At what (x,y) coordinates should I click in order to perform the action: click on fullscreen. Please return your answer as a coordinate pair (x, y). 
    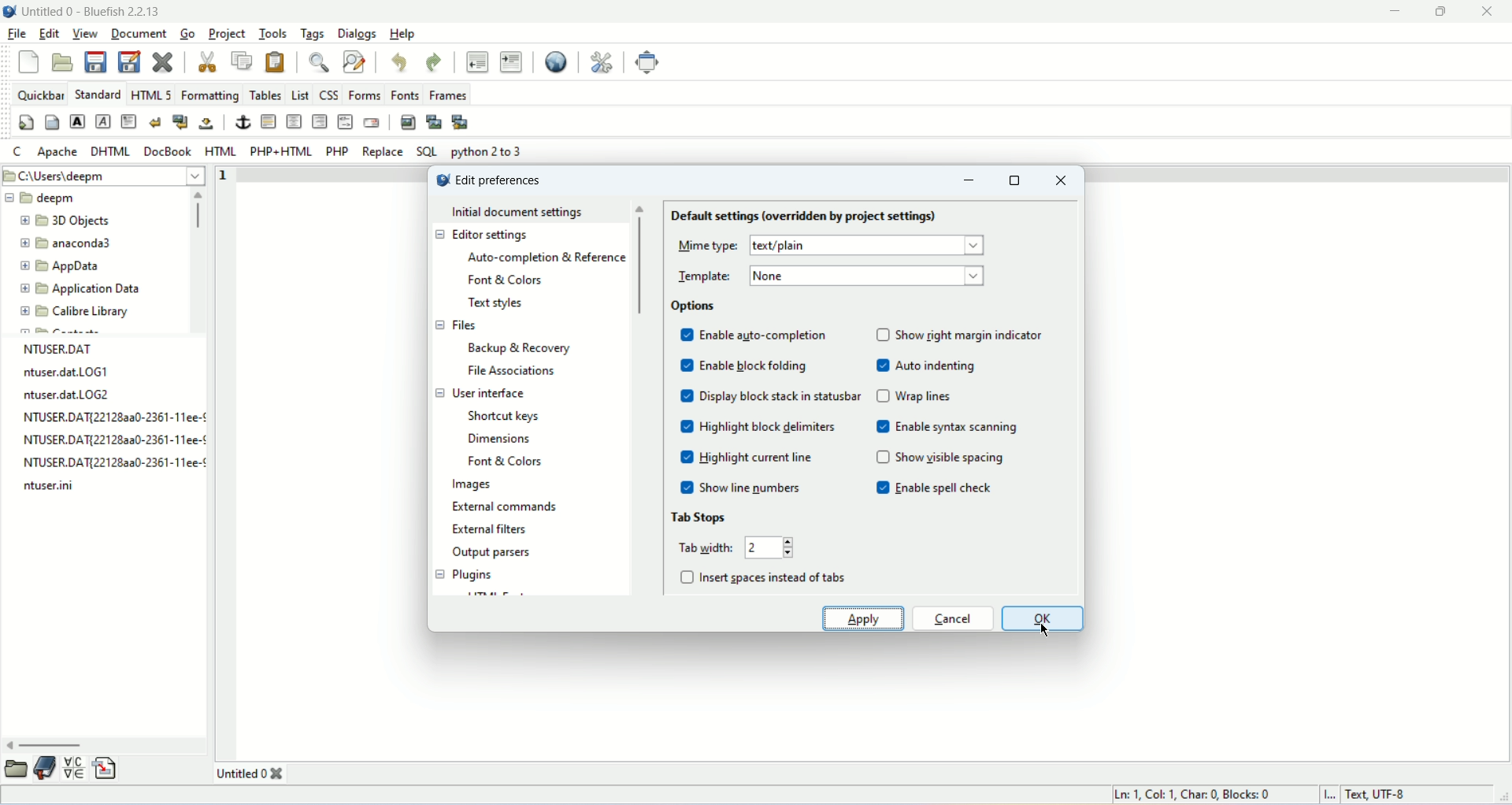
    Looking at the image, I should click on (649, 64).